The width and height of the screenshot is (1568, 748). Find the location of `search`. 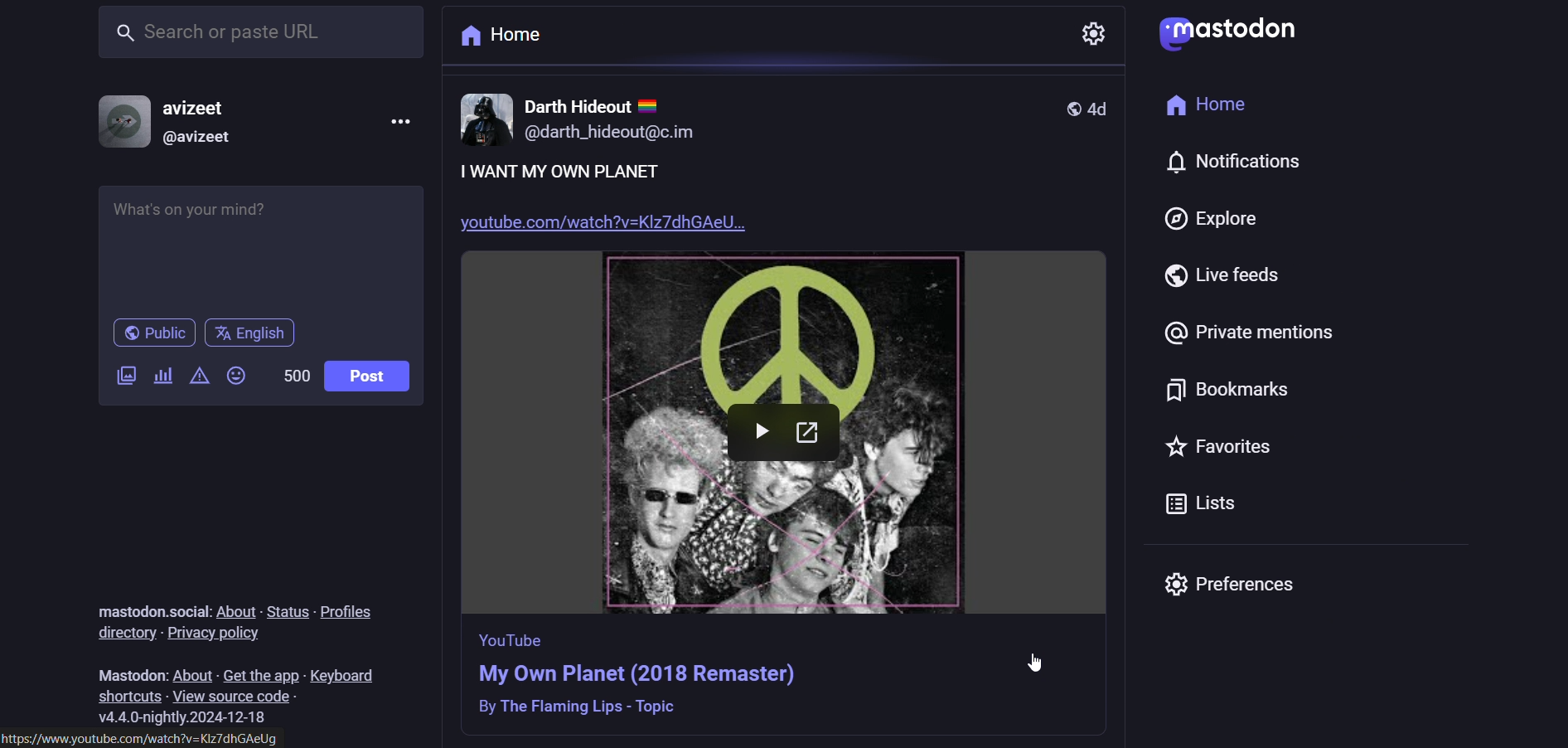

search is located at coordinates (262, 36).